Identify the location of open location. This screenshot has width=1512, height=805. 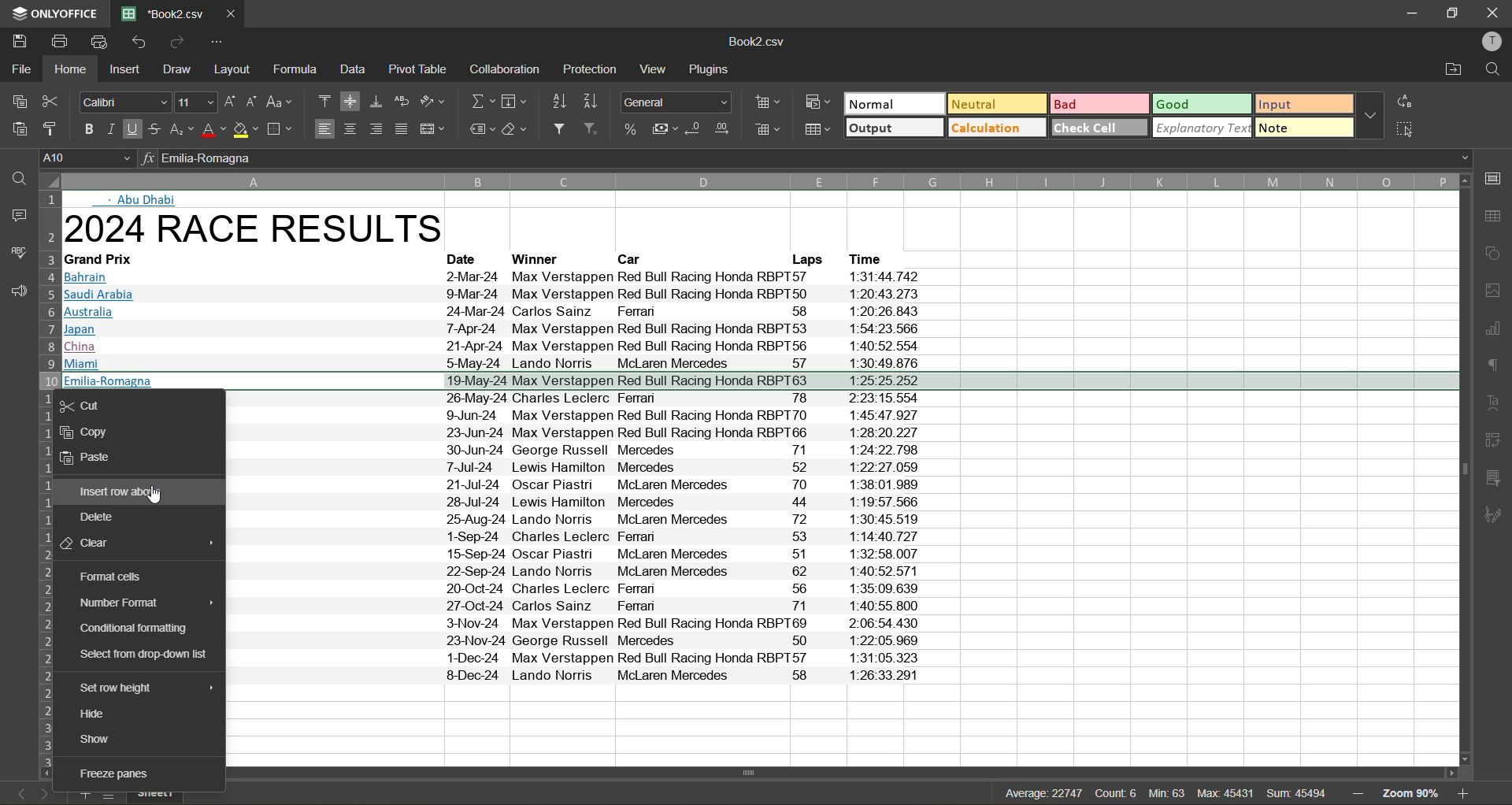
(1451, 72).